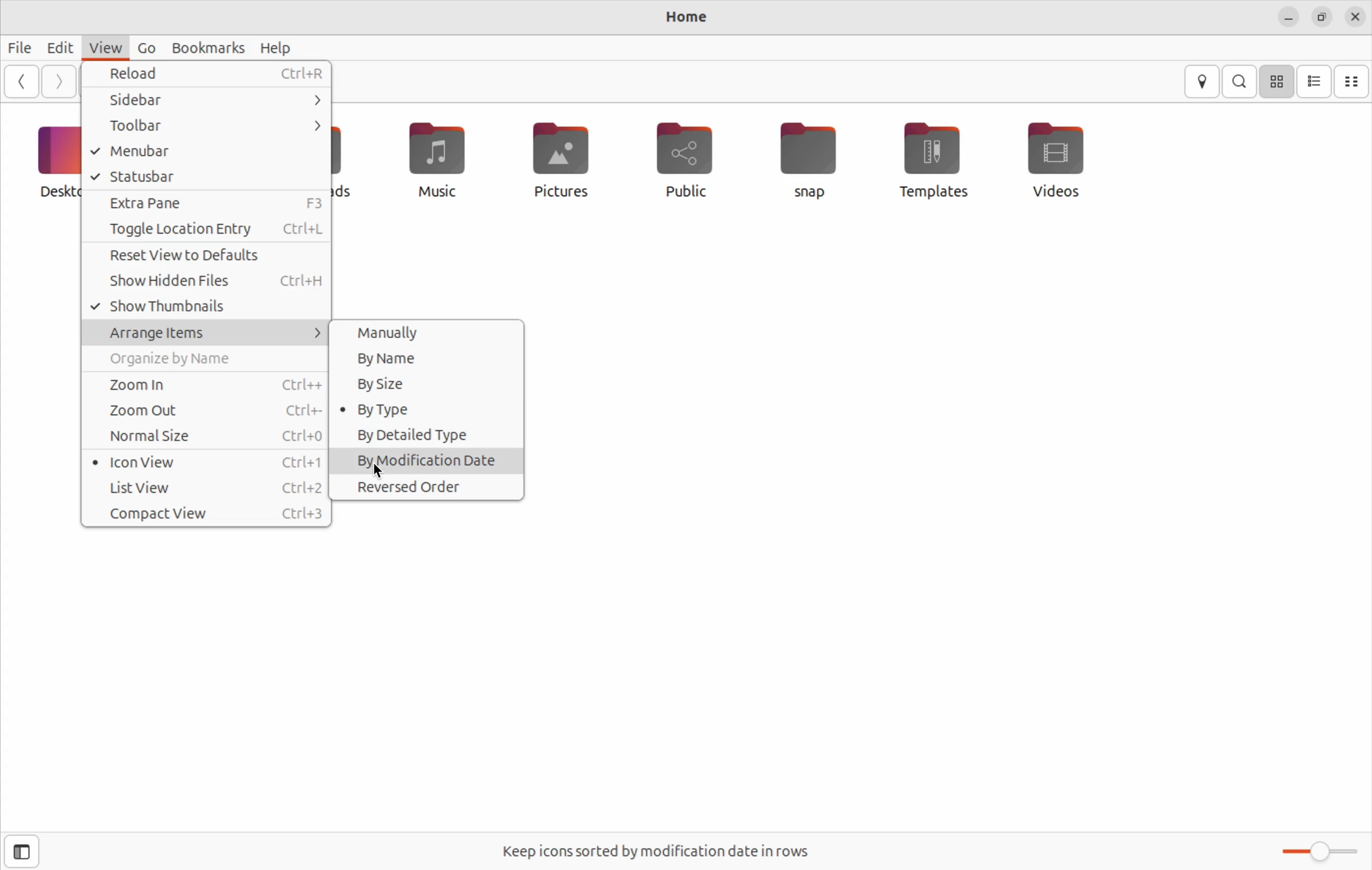  What do you see at coordinates (208, 513) in the screenshot?
I see `compact view` at bounding box center [208, 513].